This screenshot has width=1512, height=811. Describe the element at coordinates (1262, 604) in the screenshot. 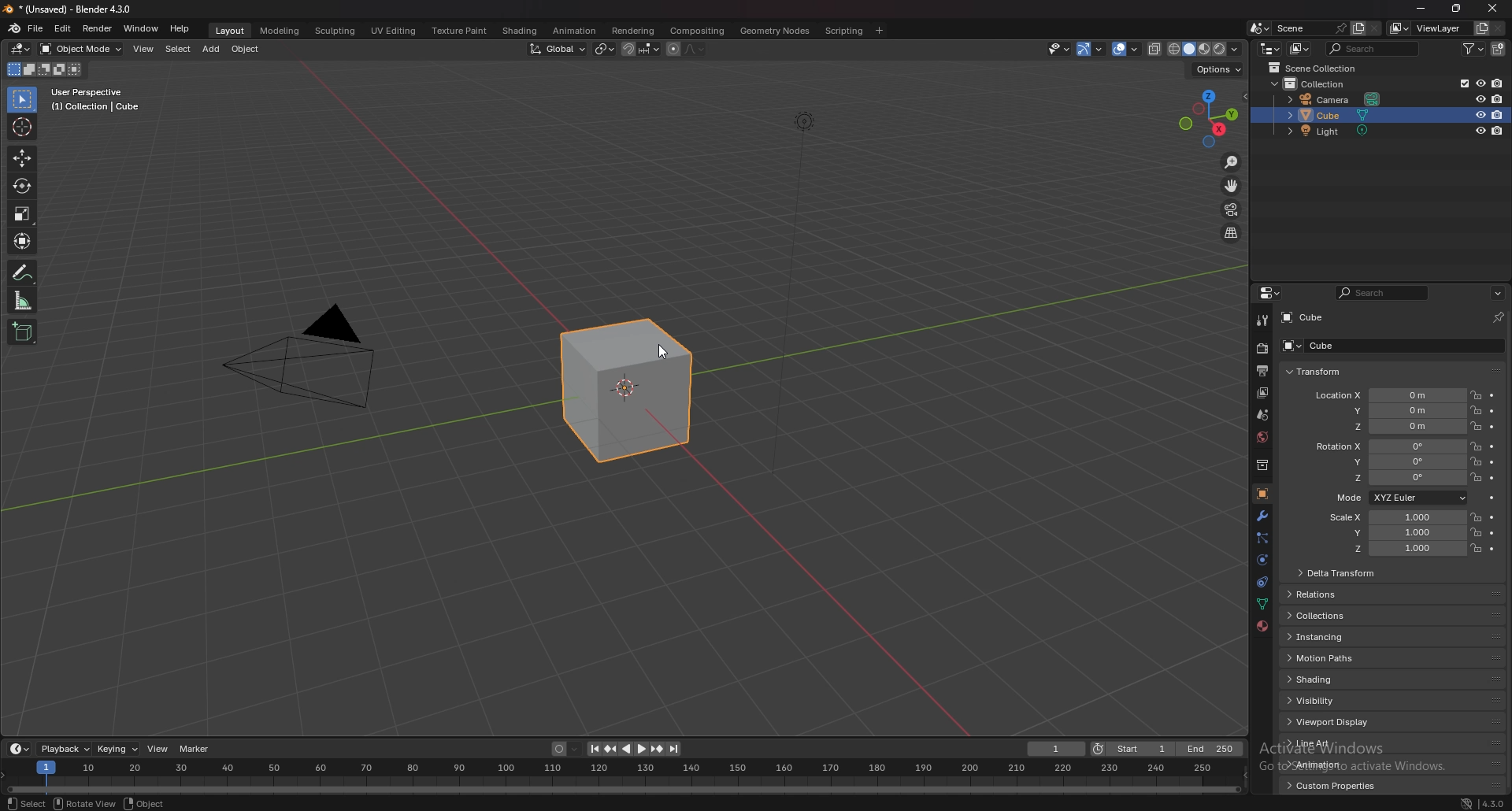

I see `data` at that location.